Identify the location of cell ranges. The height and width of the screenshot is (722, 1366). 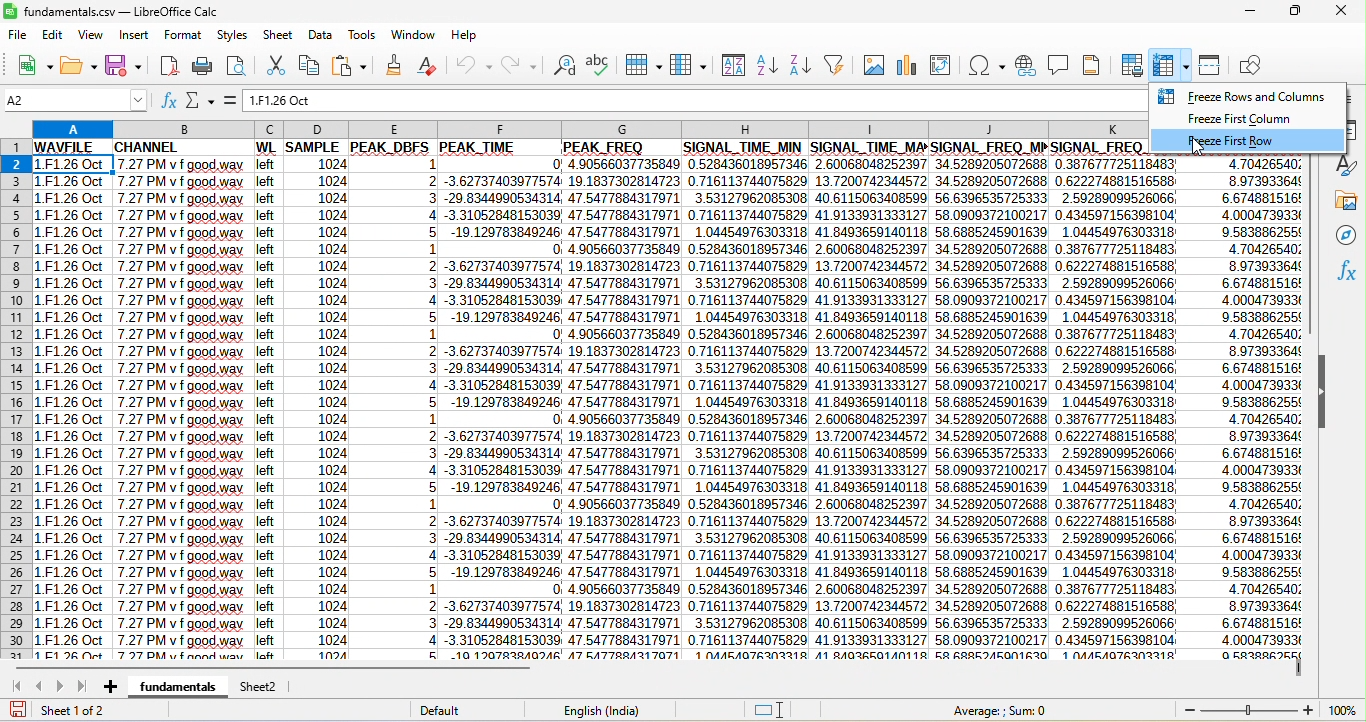
(591, 399).